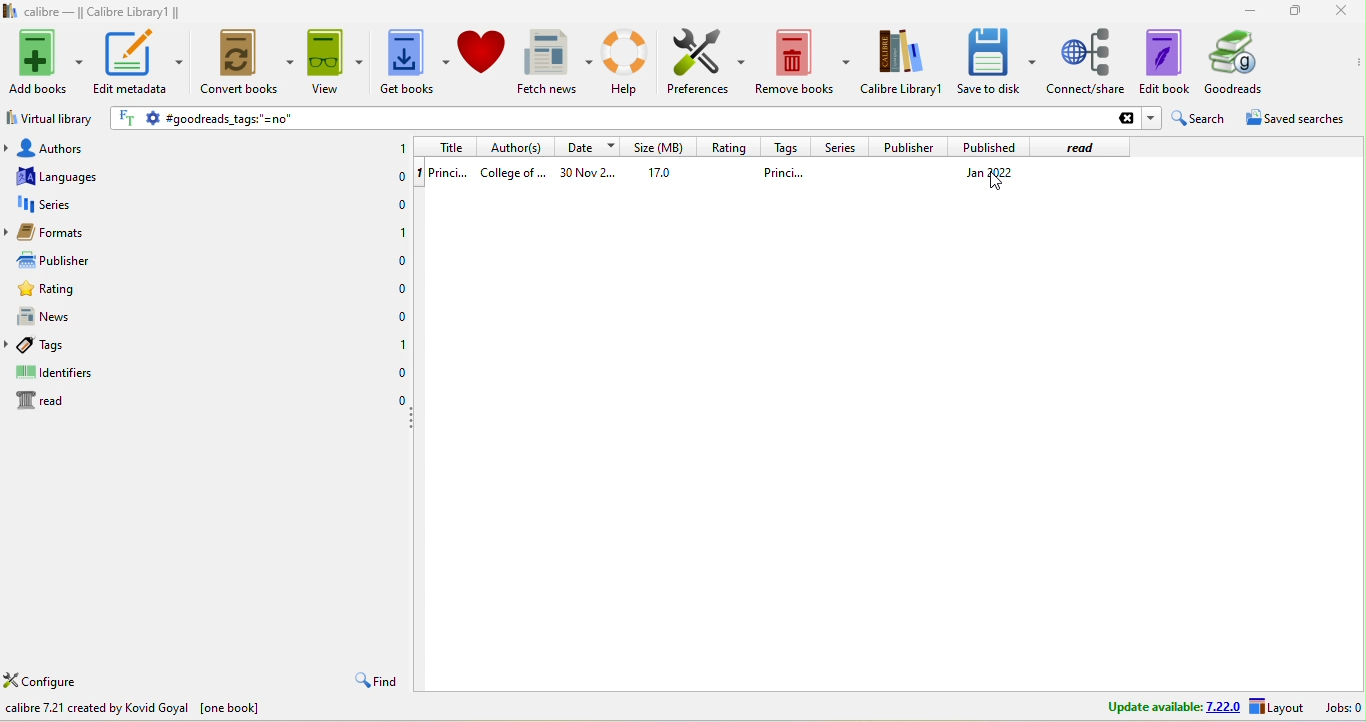 Image resolution: width=1366 pixels, height=722 pixels. I want to click on 1 princi  , so click(450, 172).